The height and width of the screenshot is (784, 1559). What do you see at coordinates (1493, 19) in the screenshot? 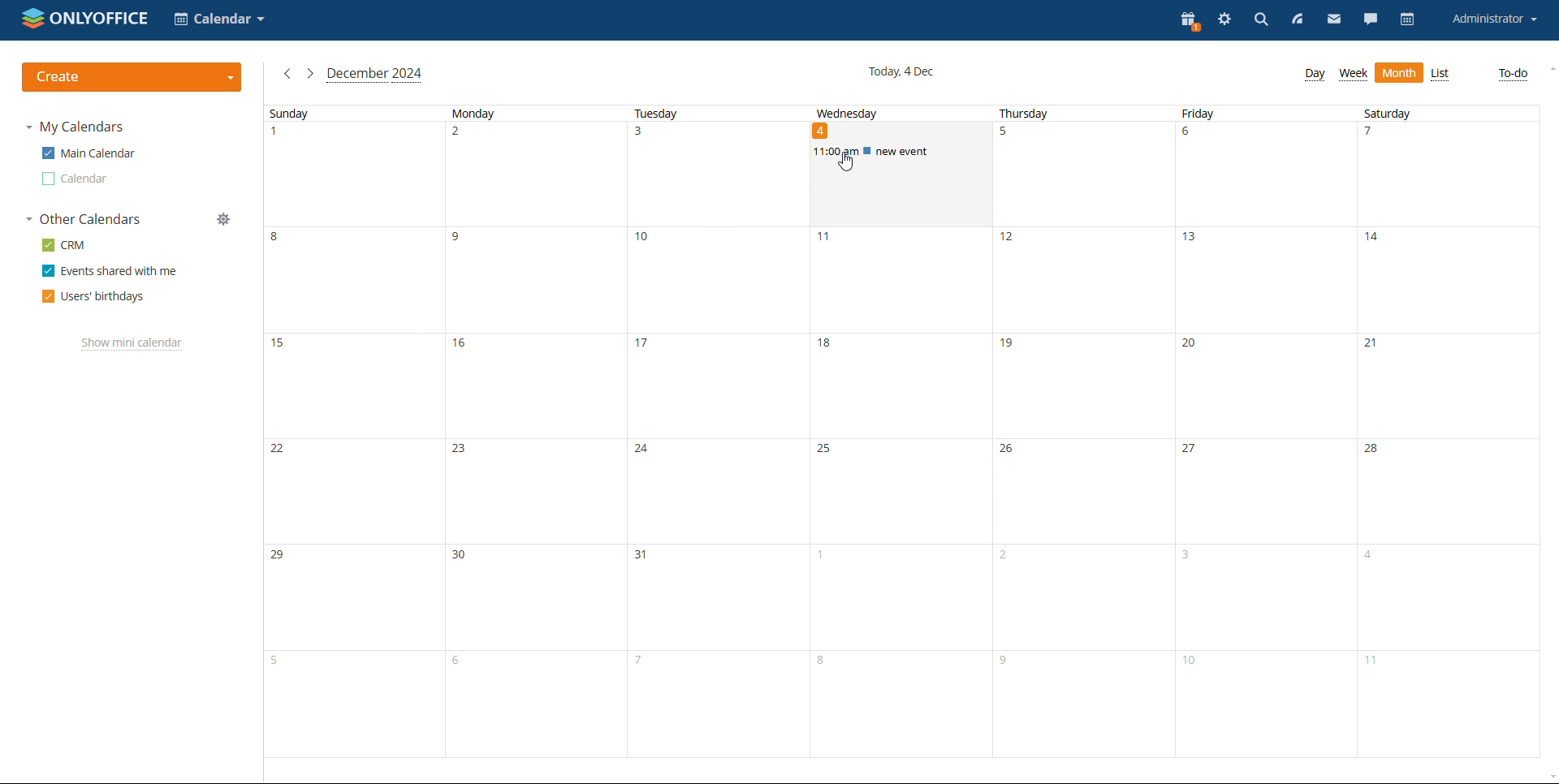
I see `account` at bounding box center [1493, 19].